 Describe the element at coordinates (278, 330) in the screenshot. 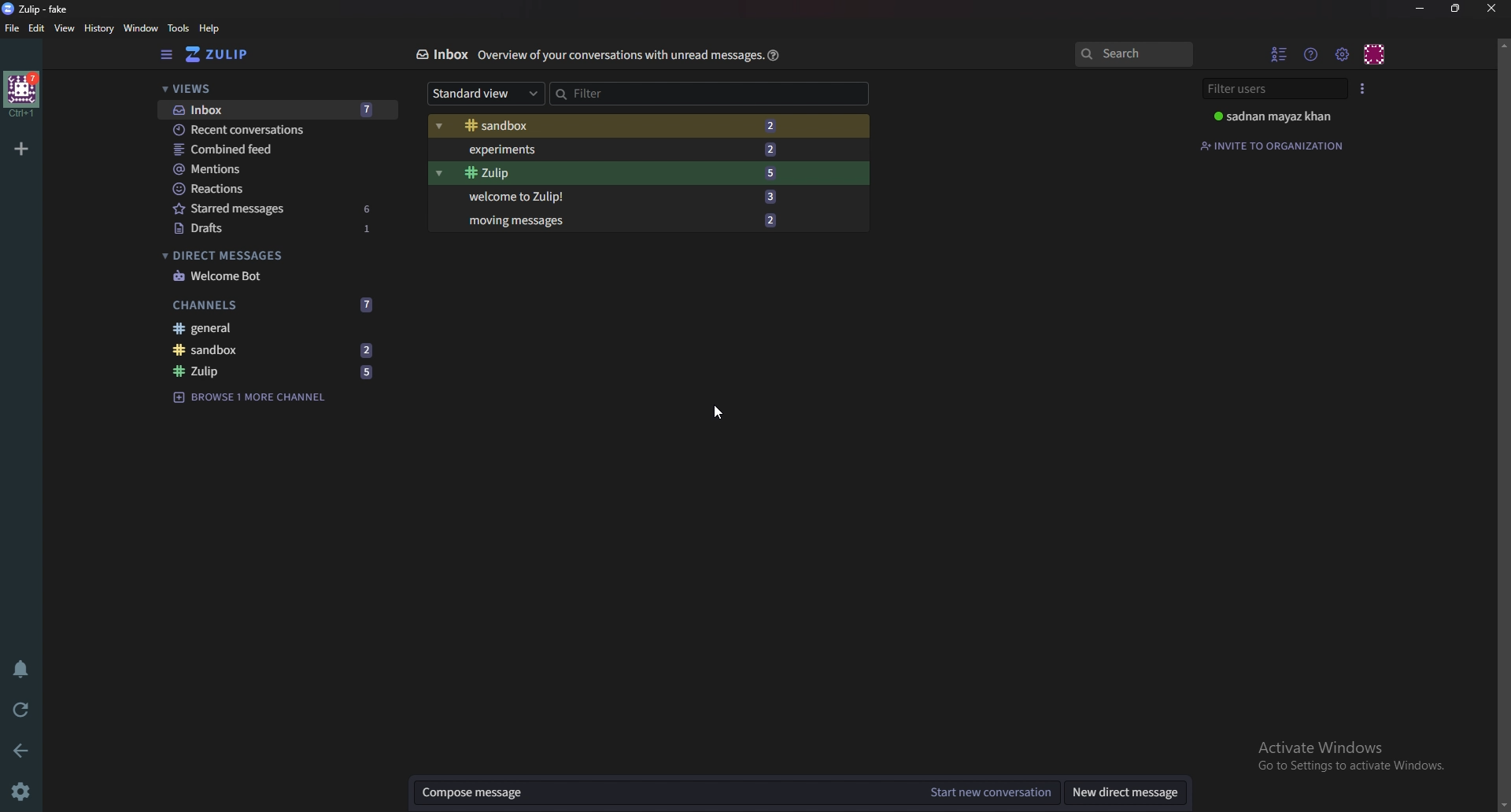

I see `# General` at that location.